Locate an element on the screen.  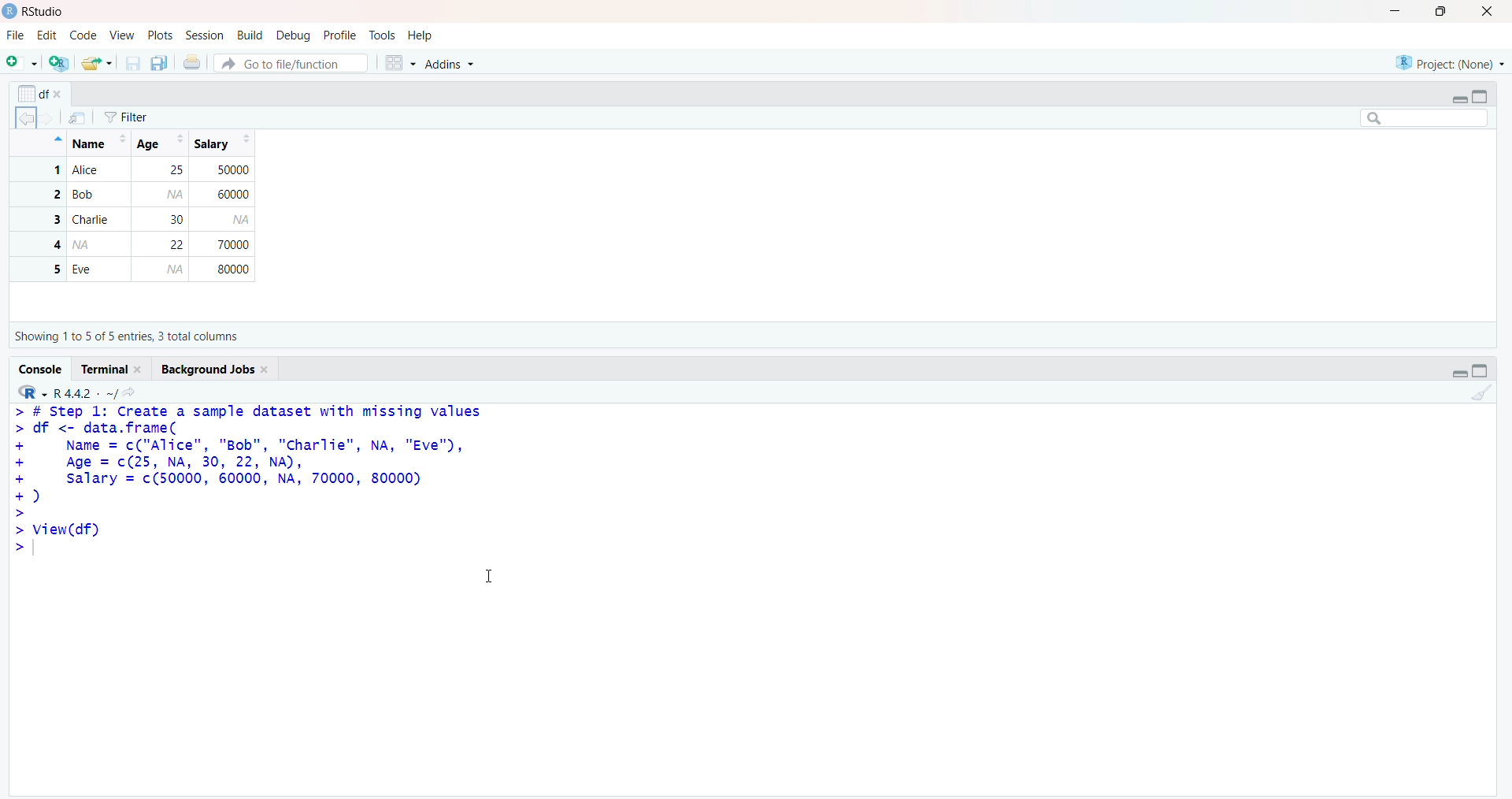
Maximize is located at coordinates (1484, 97).